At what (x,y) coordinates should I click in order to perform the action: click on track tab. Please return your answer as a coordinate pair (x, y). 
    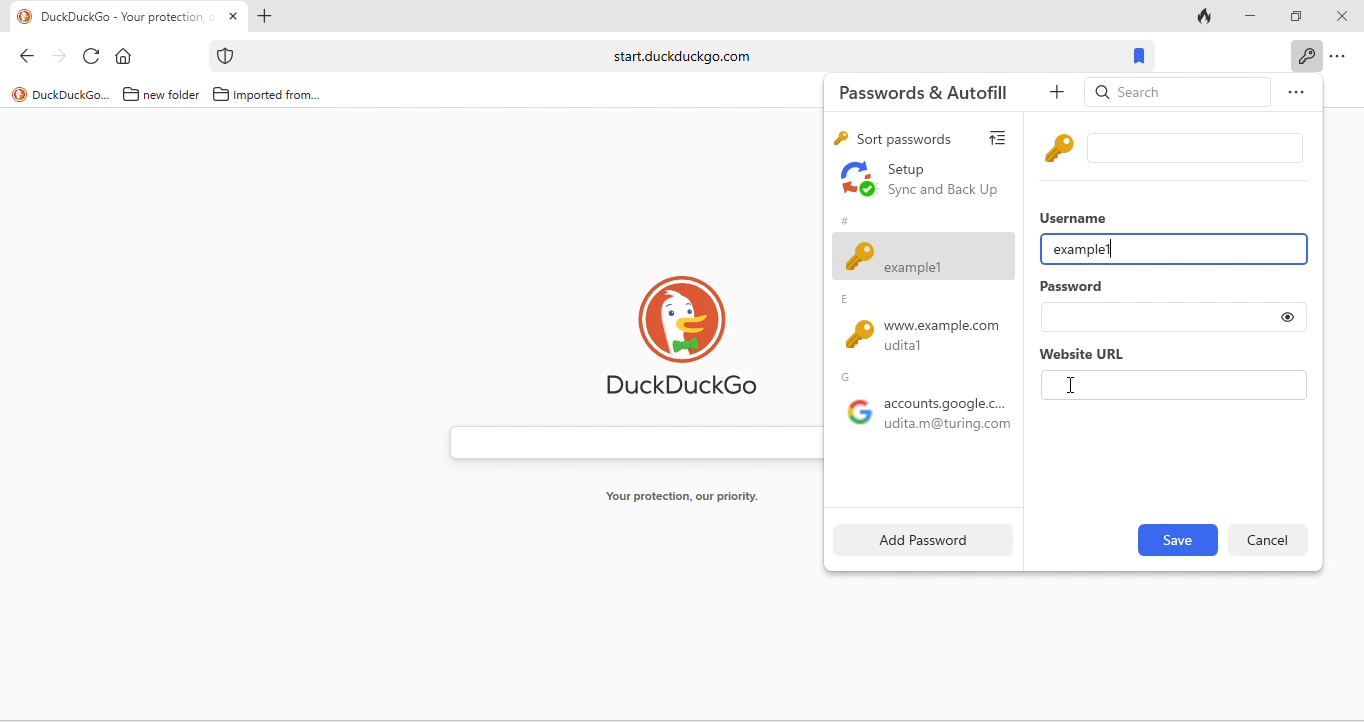
    Looking at the image, I should click on (1206, 15).